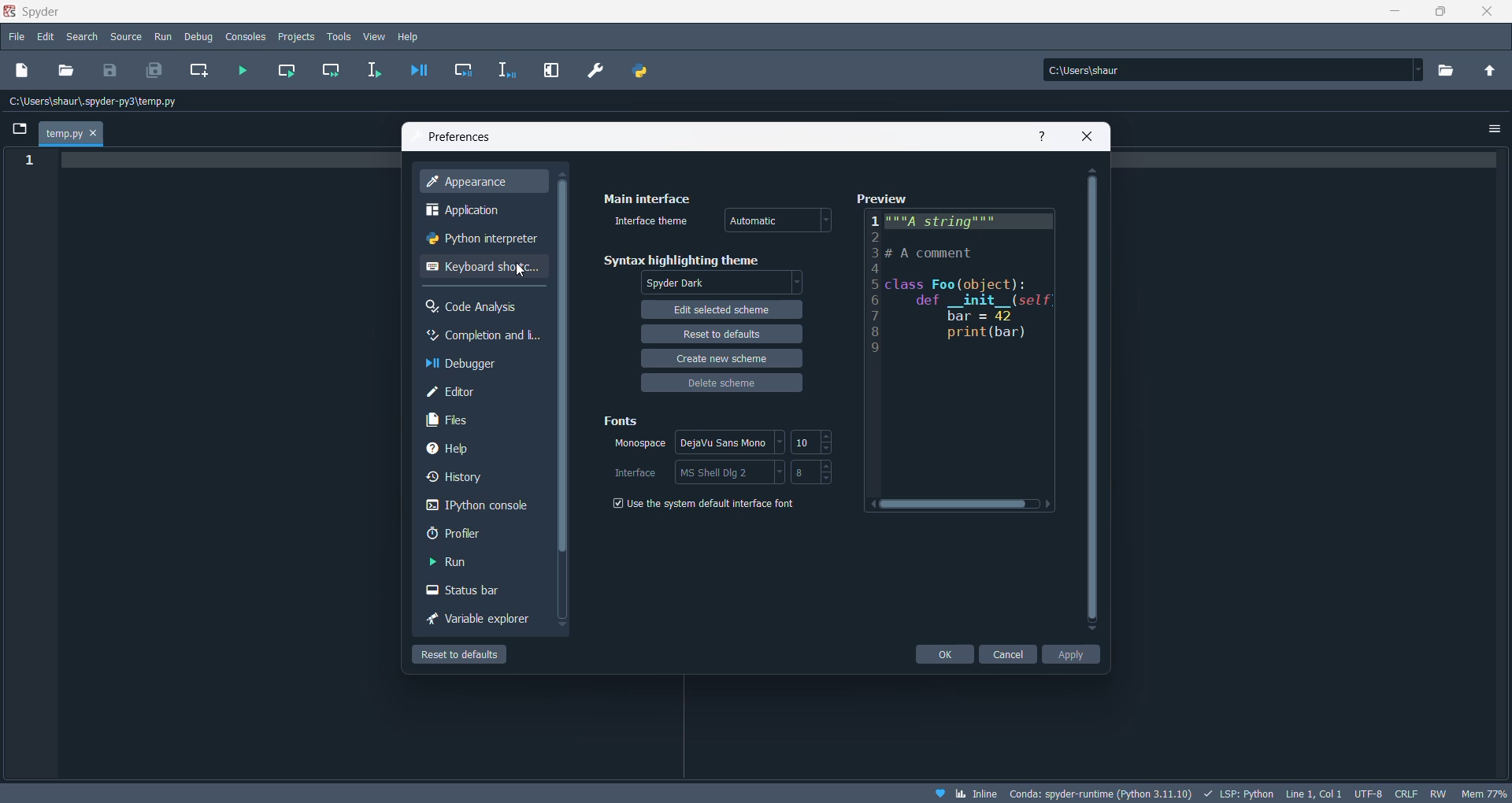 Image resolution: width=1512 pixels, height=803 pixels. I want to click on history, so click(471, 481).